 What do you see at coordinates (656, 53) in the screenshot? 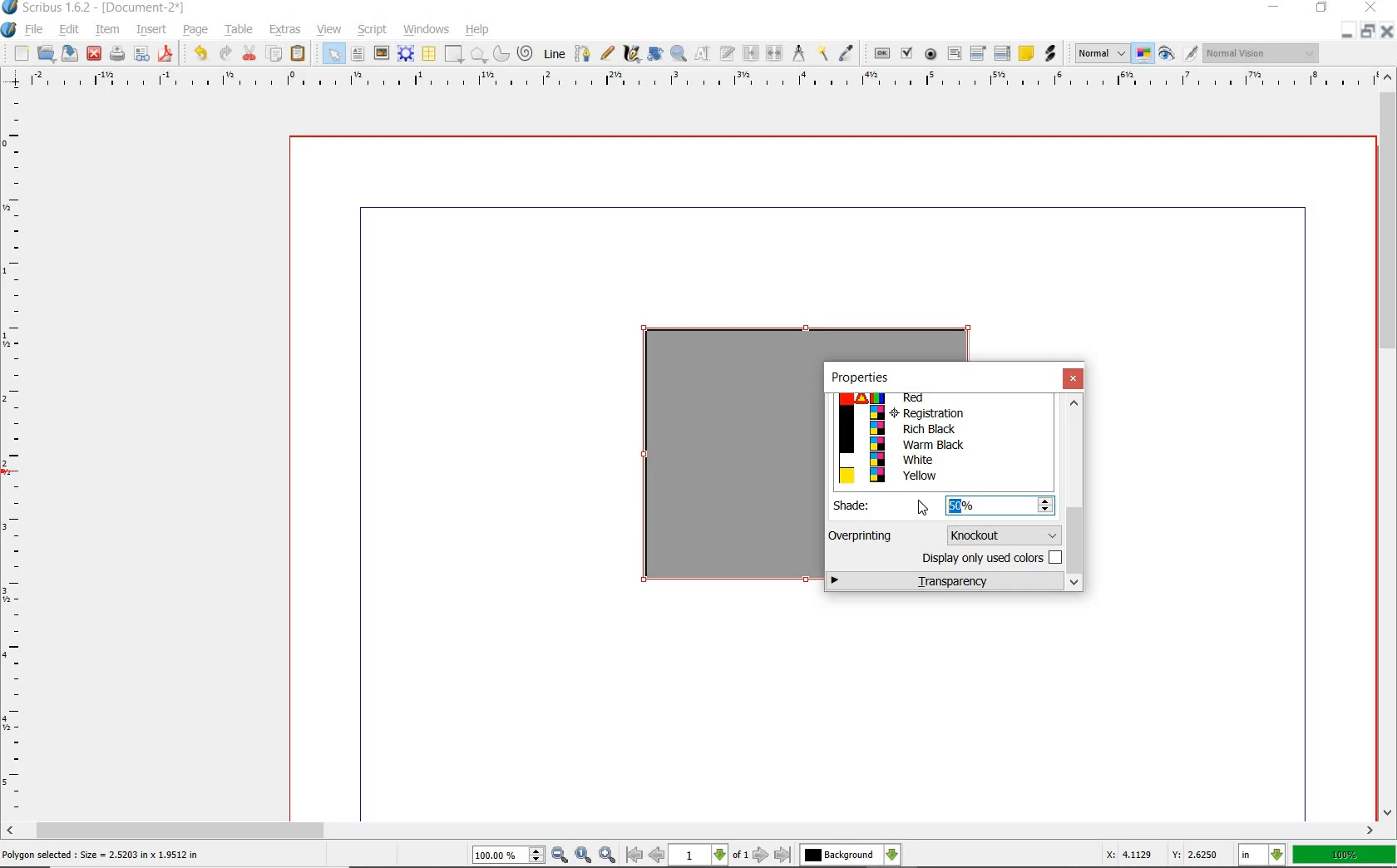
I see `rotate item` at bounding box center [656, 53].